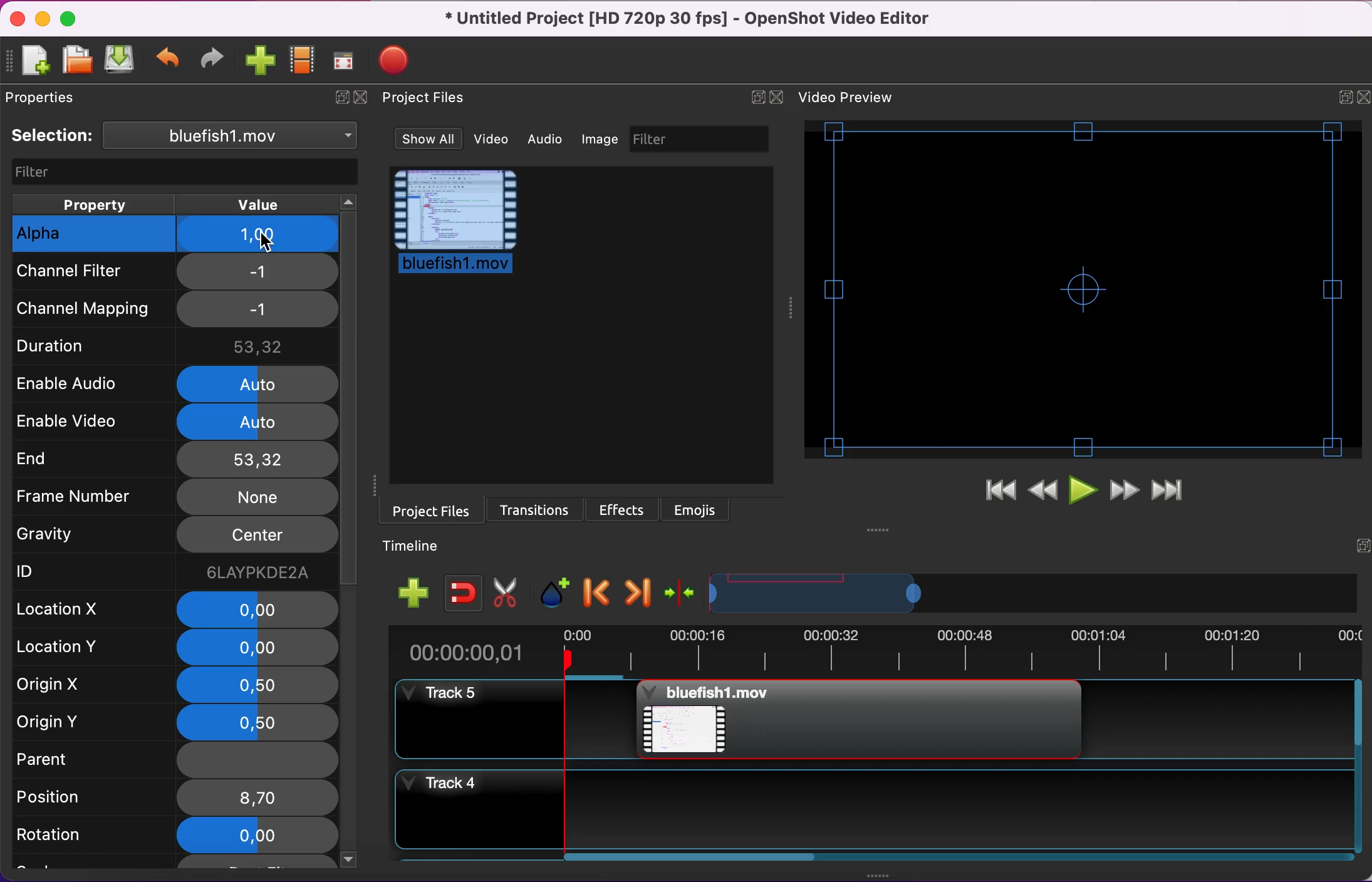 The height and width of the screenshot is (882, 1372). Describe the element at coordinates (400, 64) in the screenshot. I see `export video` at that location.